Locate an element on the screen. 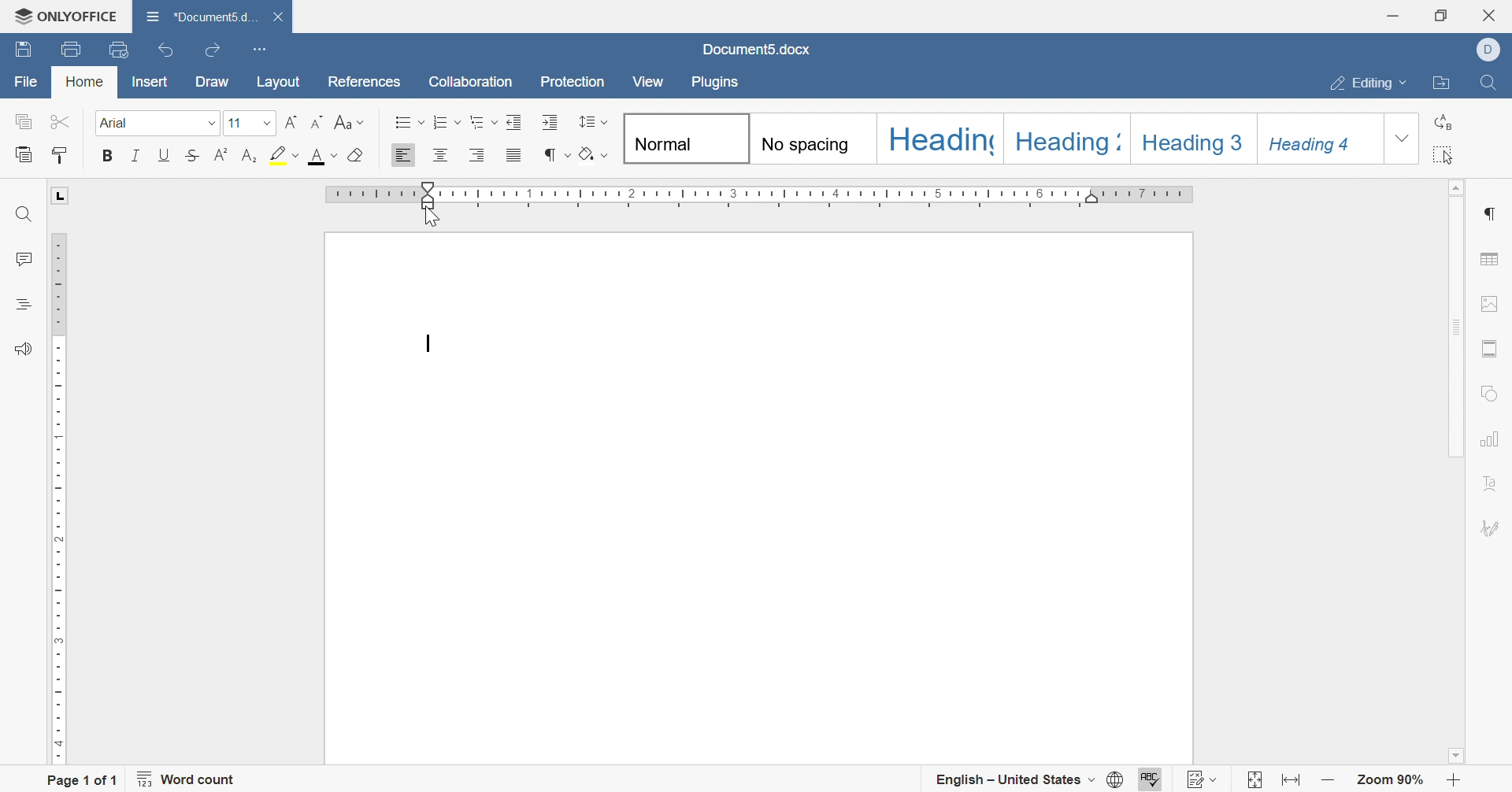  zoom out is located at coordinates (1327, 779).